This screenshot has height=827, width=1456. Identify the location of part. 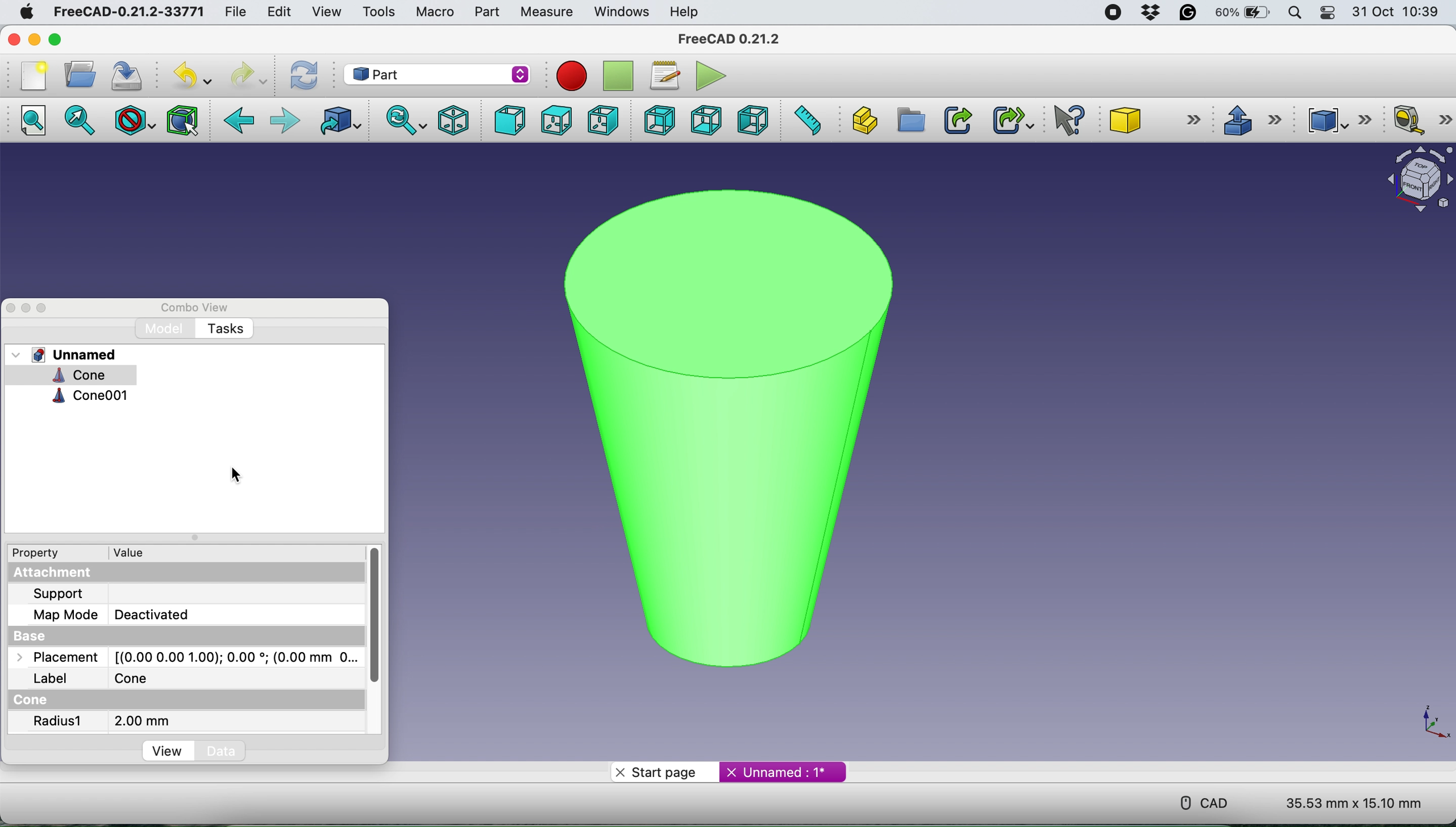
(439, 73).